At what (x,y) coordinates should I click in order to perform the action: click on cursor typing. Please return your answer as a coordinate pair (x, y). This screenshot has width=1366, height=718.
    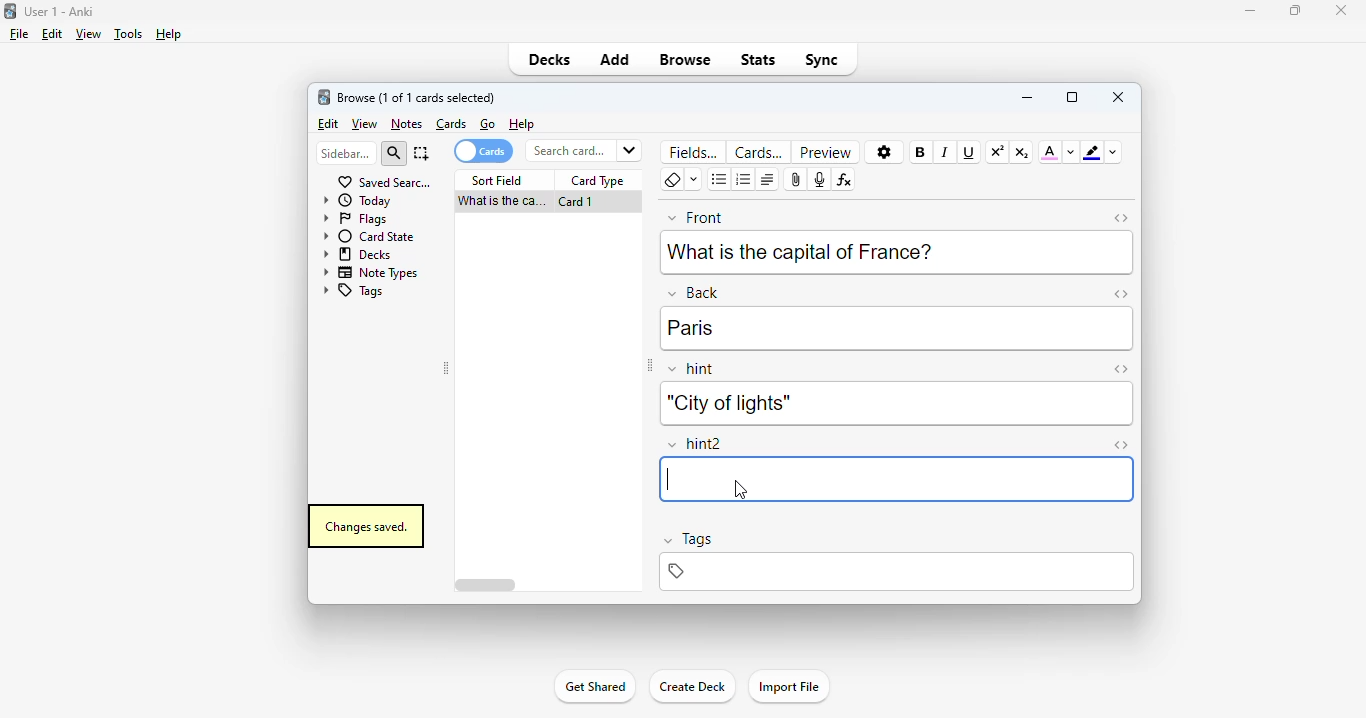
    Looking at the image, I should click on (666, 479).